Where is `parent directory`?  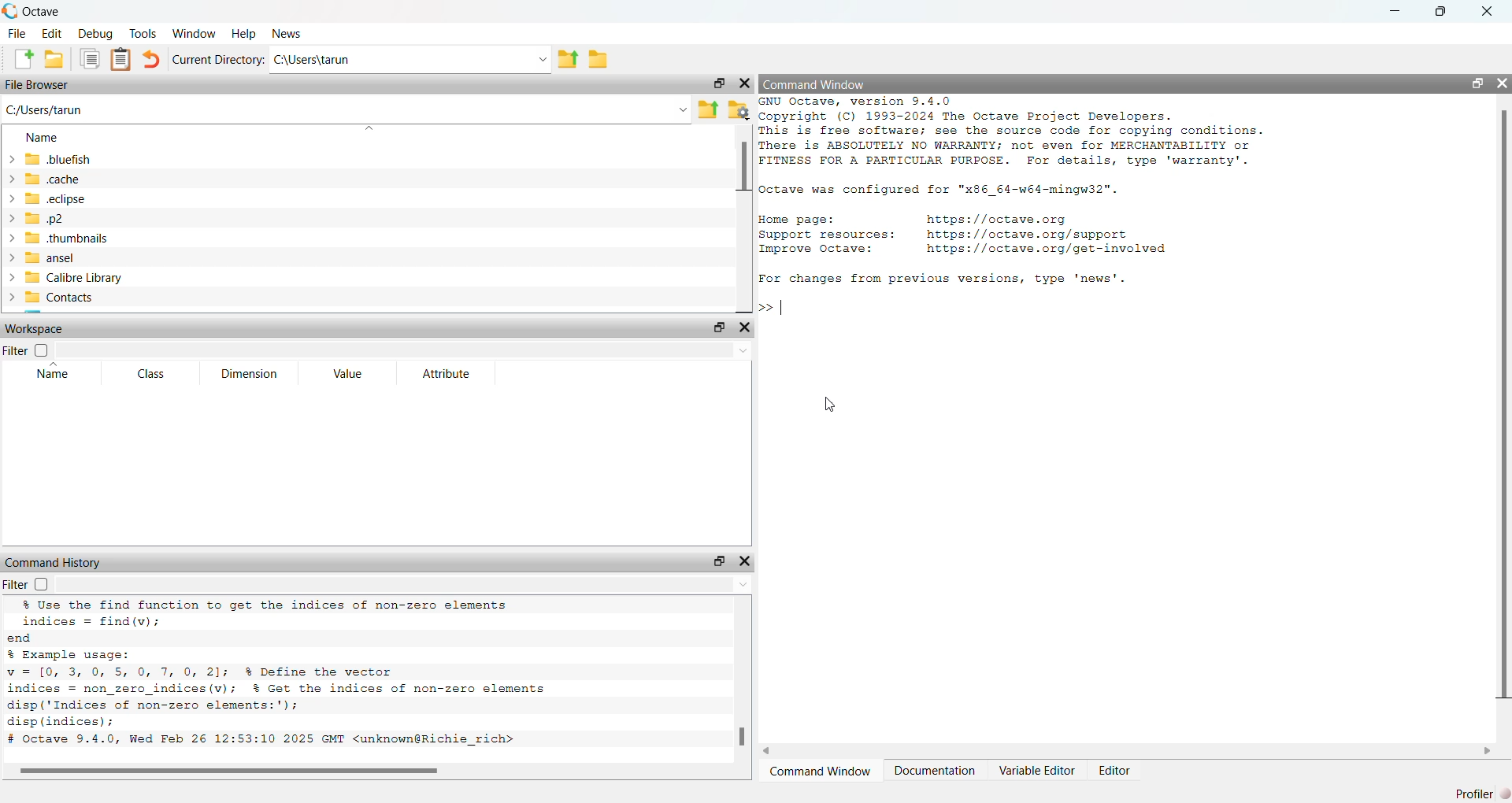 parent directory is located at coordinates (569, 58).